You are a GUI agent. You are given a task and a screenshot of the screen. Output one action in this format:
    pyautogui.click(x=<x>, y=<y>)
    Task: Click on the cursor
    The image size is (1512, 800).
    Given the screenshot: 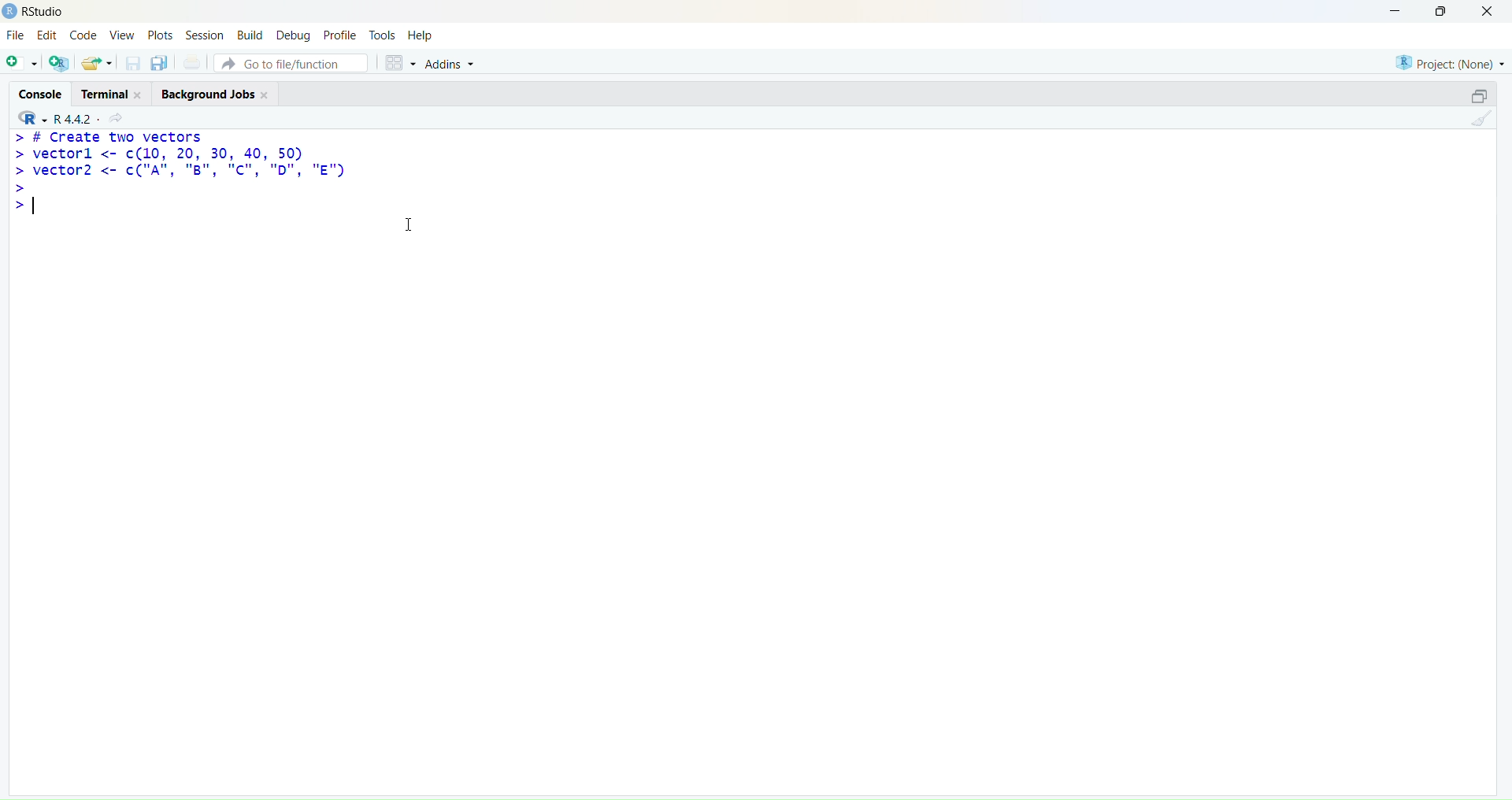 What is the action you would take?
    pyautogui.click(x=409, y=224)
    